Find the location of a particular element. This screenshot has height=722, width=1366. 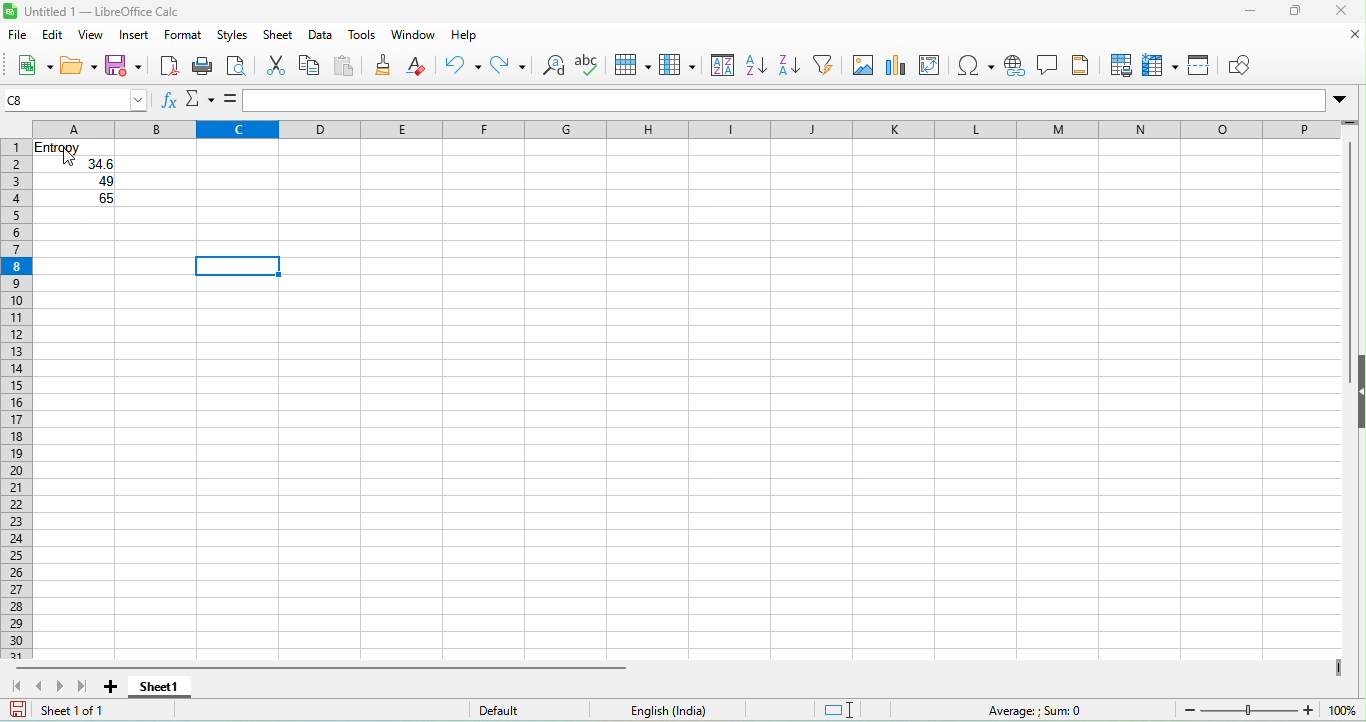

standard selection is located at coordinates (840, 709).